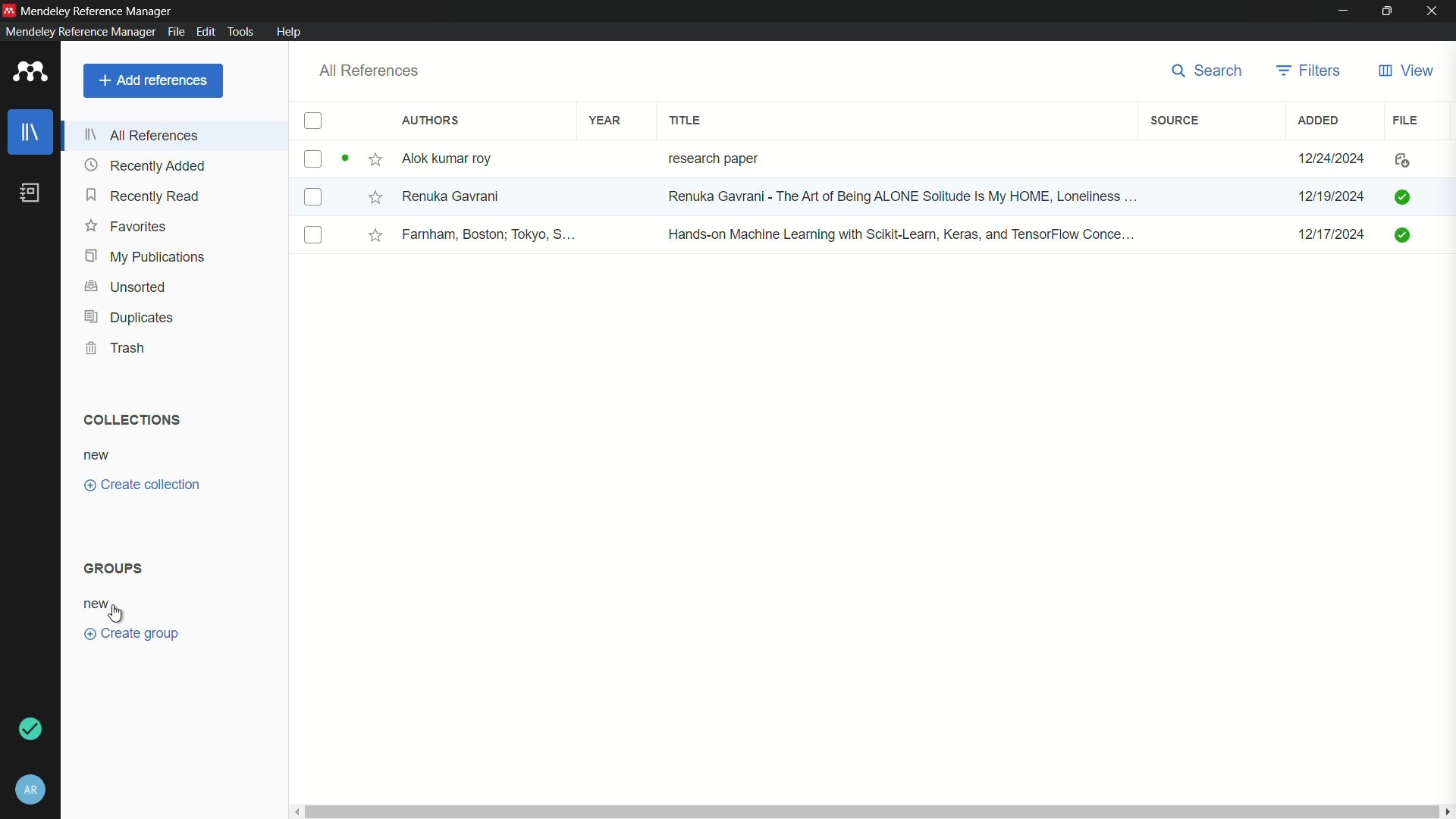  Describe the element at coordinates (128, 318) in the screenshot. I see `duplicates` at that location.